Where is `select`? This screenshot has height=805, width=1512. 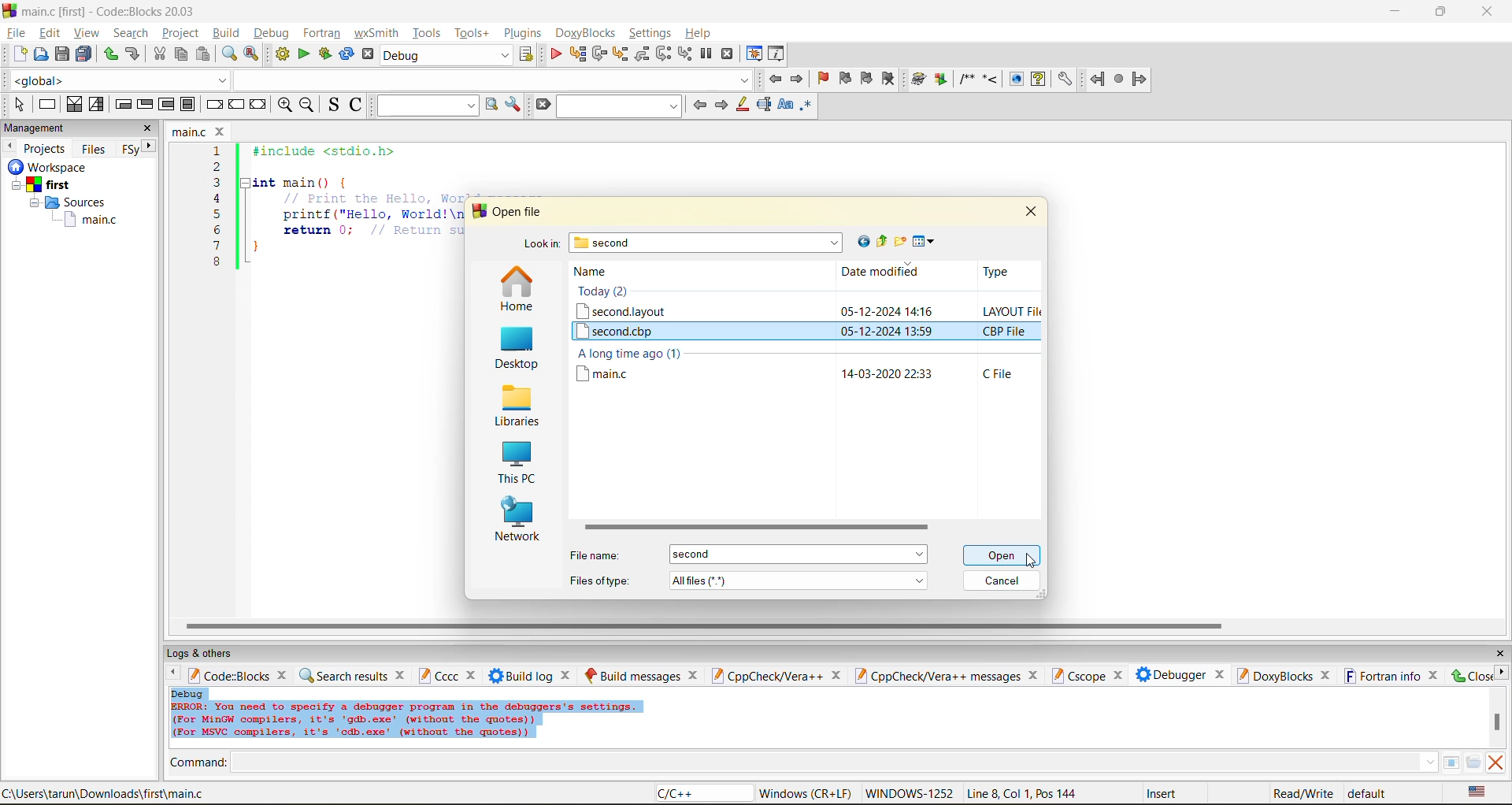
select is located at coordinates (19, 104).